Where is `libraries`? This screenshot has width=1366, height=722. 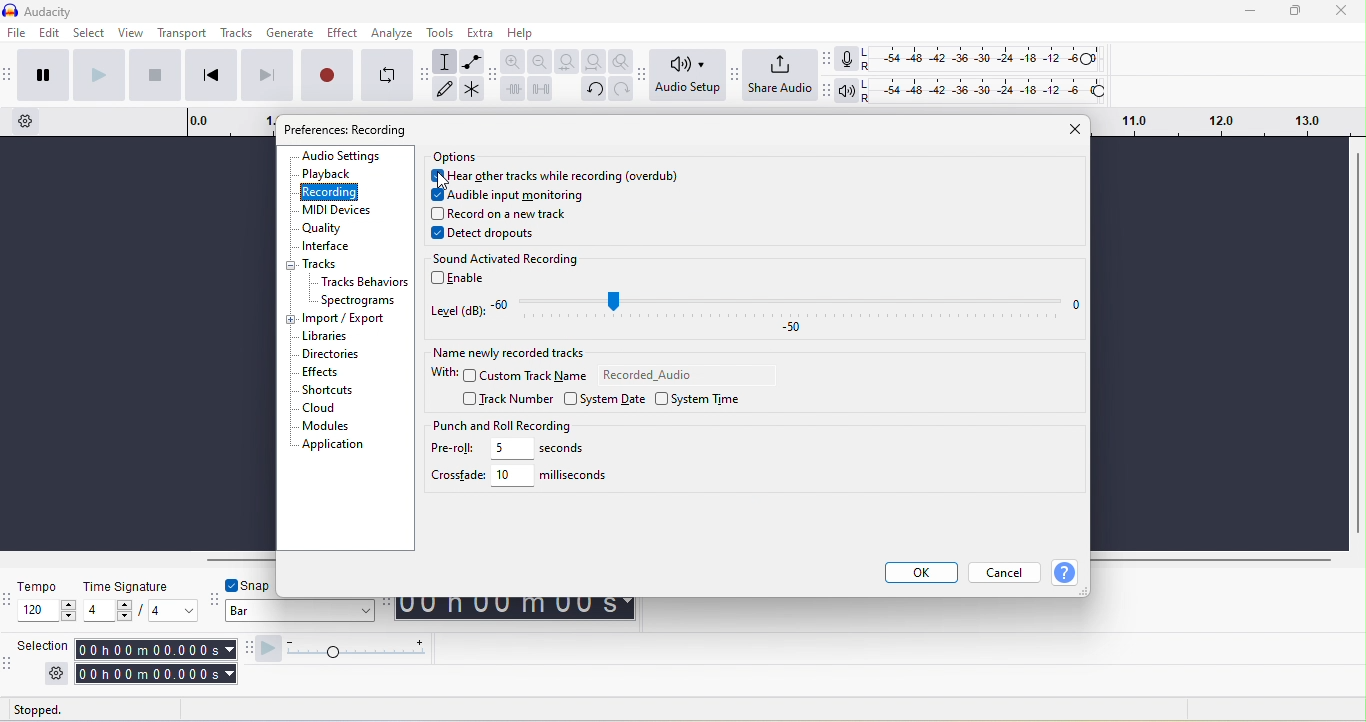 libraries is located at coordinates (332, 336).